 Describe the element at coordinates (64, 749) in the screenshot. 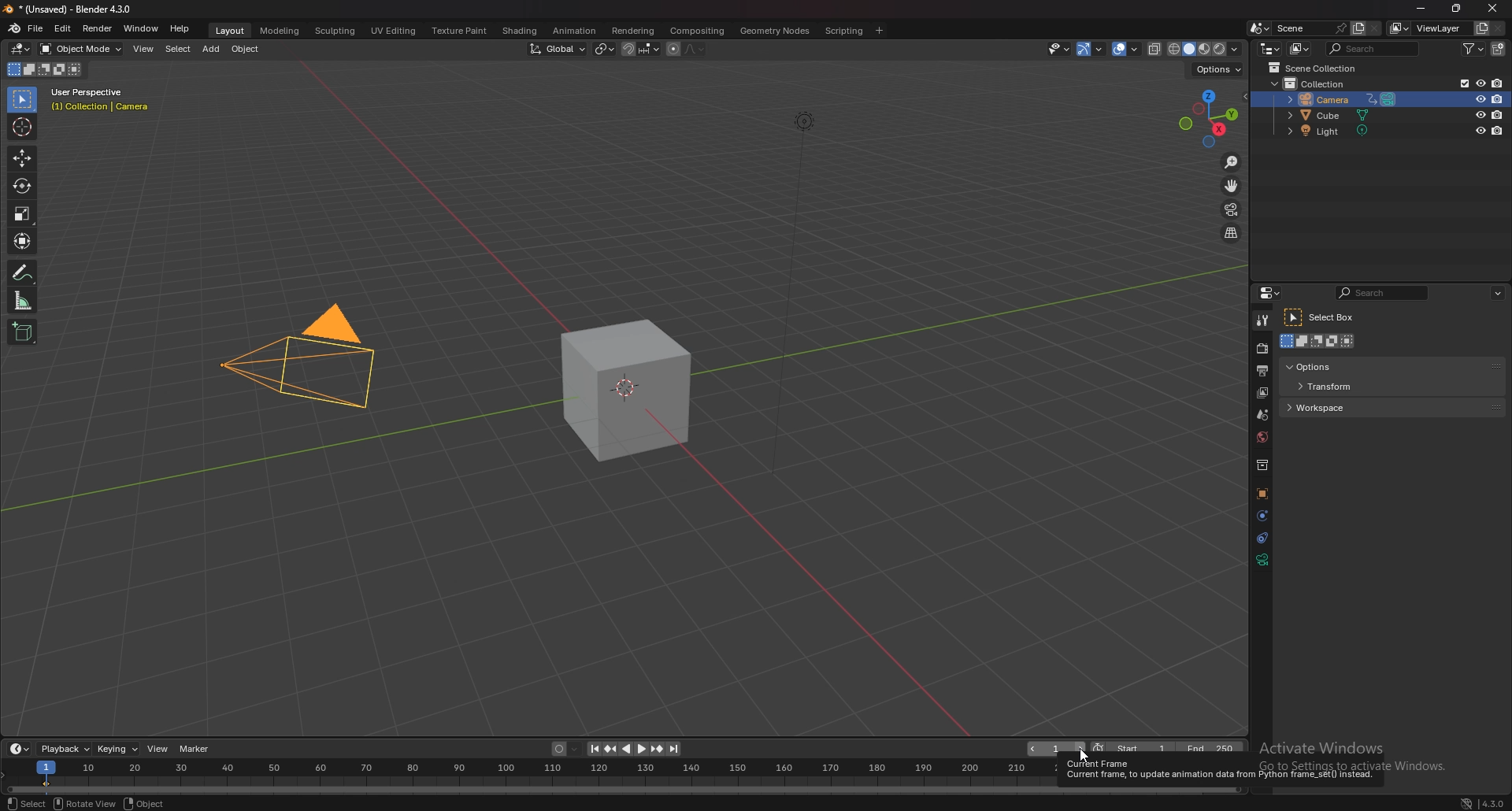

I see `playback` at that location.